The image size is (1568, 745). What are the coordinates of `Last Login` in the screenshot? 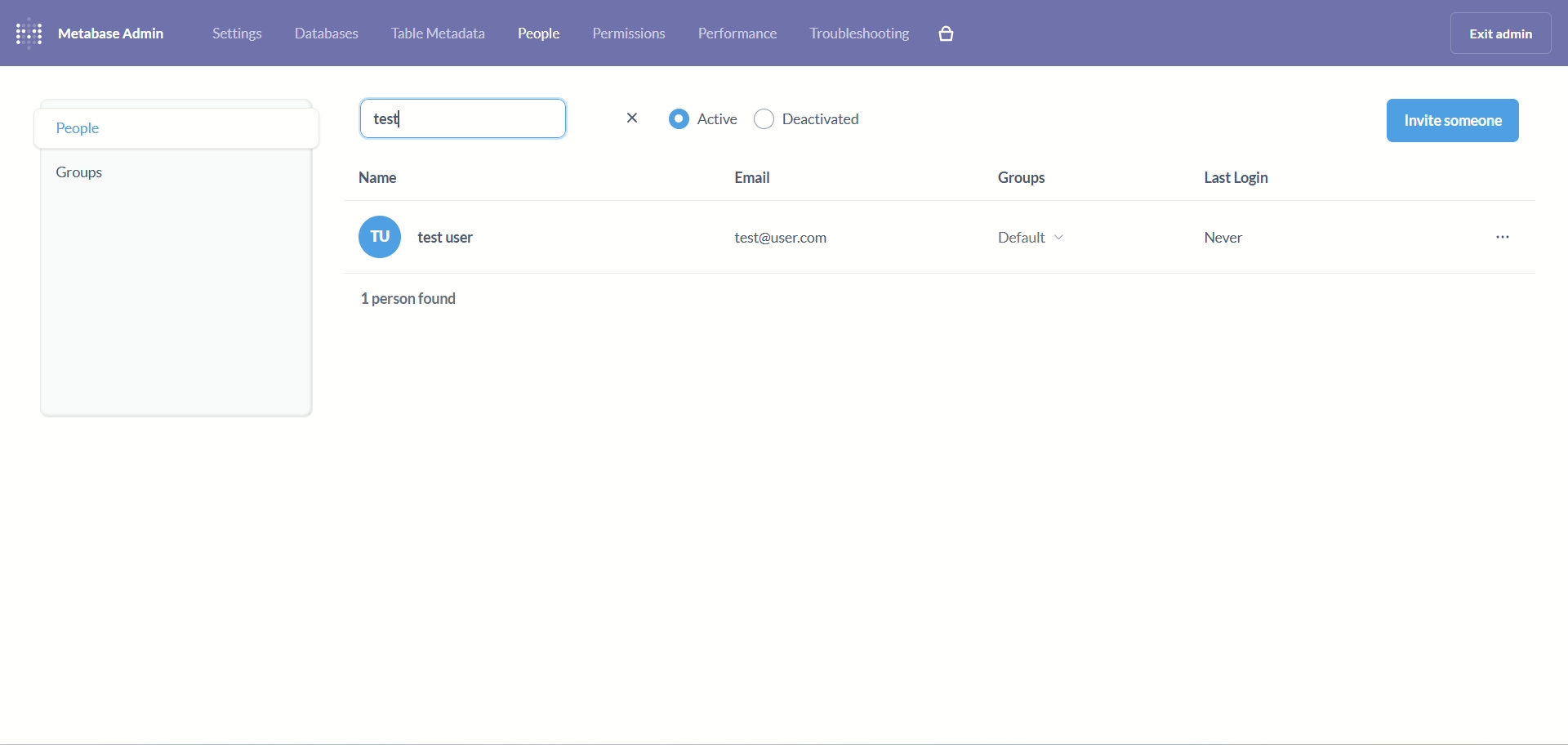 It's located at (1240, 176).